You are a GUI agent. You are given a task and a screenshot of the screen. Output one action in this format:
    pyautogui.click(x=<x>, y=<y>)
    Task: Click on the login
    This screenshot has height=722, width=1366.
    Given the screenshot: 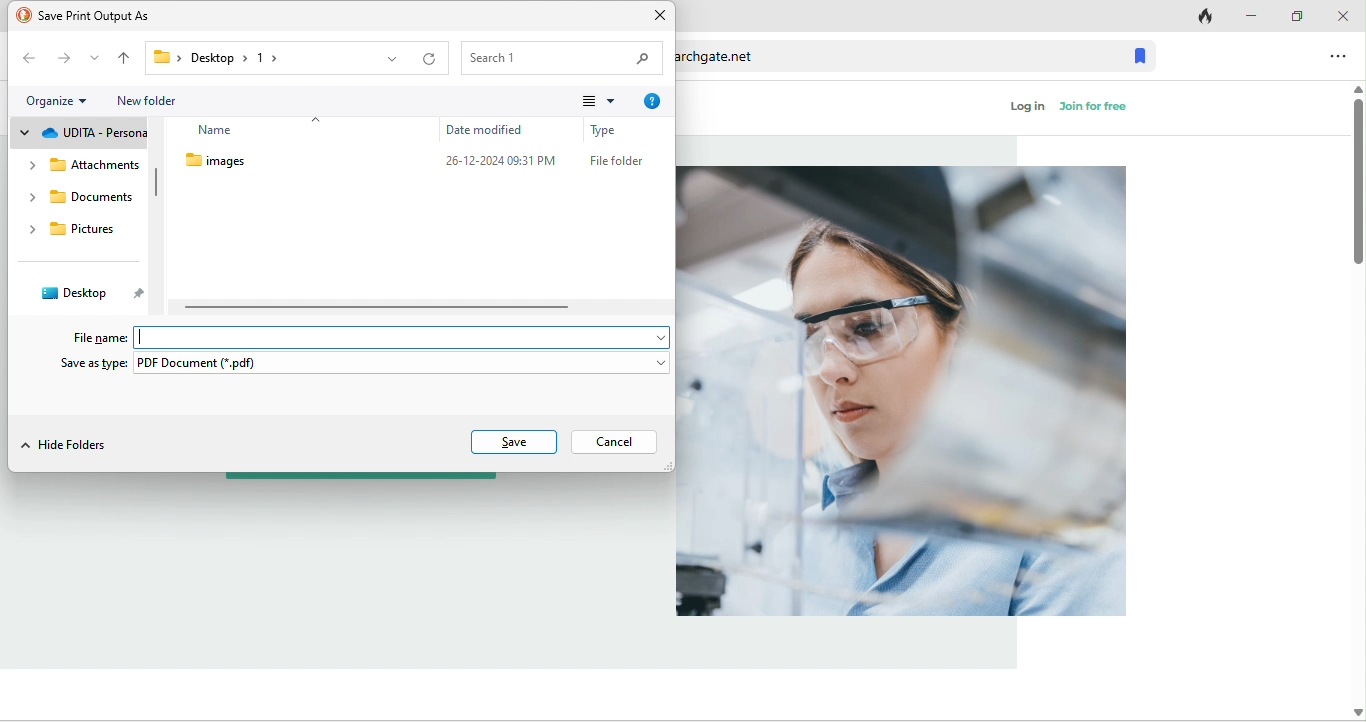 What is the action you would take?
    pyautogui.click(x=1026, y=109)
    